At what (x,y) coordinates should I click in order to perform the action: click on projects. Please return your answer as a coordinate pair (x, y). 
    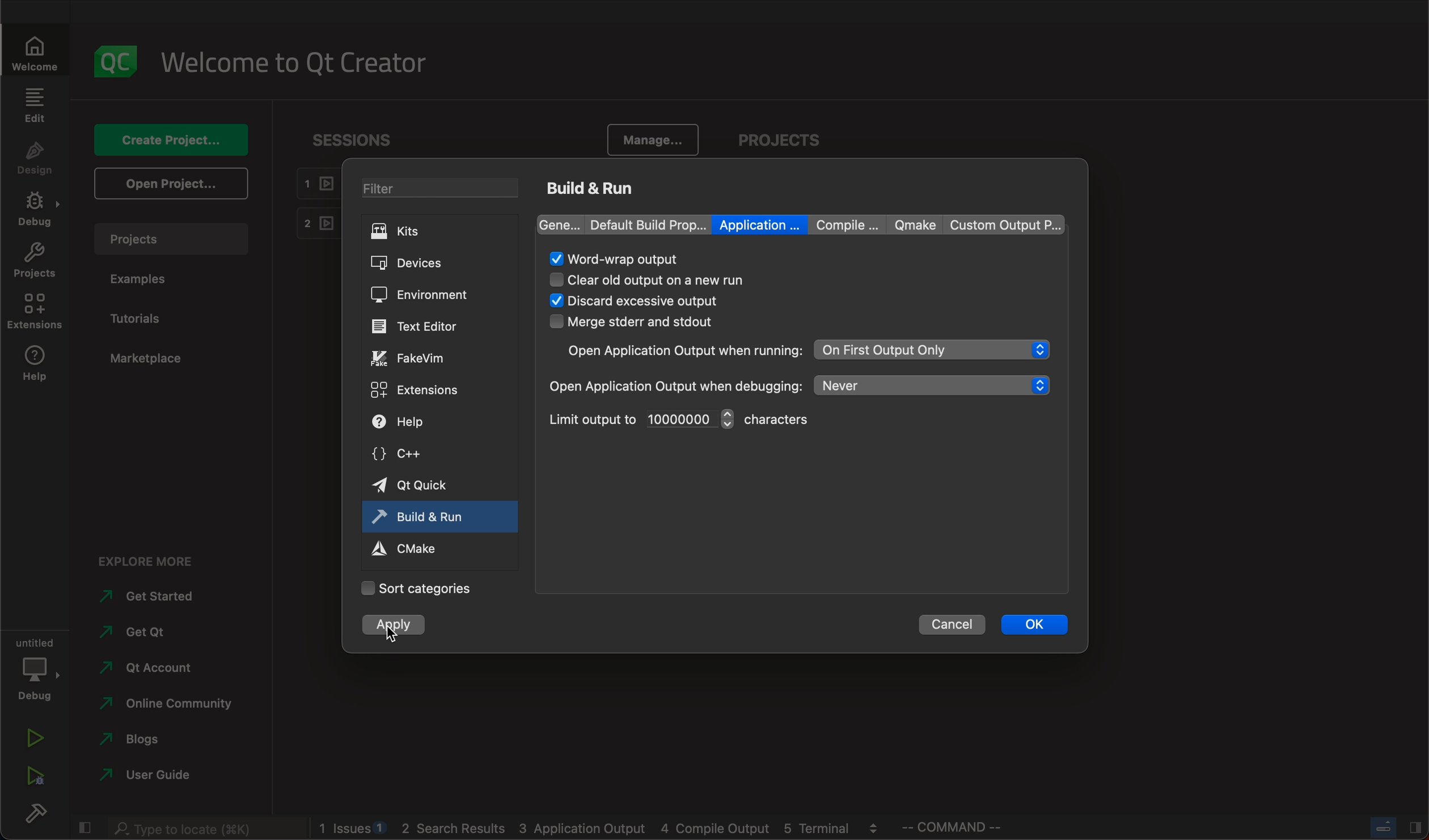
    Looking at the image, I should click on (170, 239).